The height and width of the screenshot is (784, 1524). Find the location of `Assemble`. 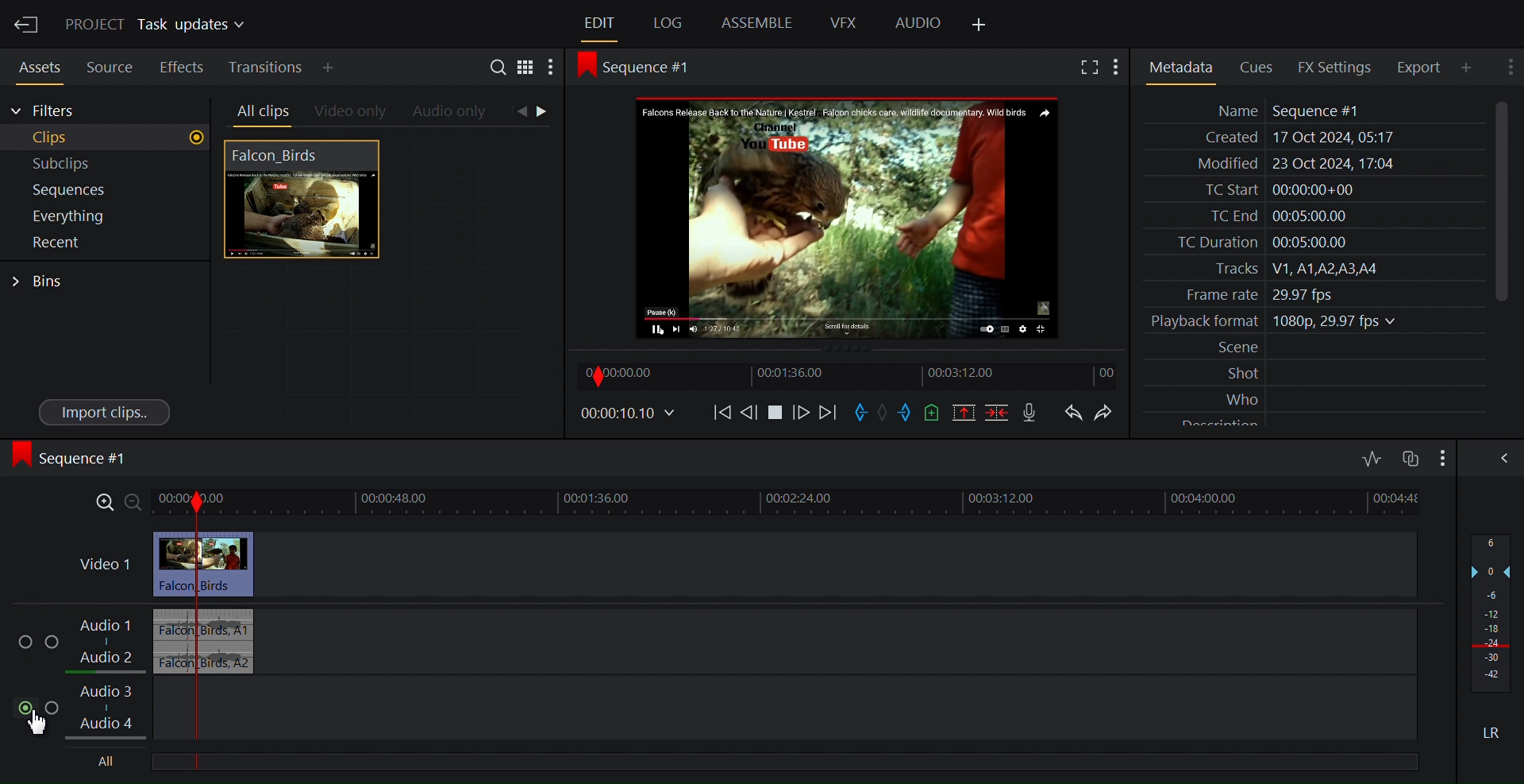

Assemble is located at coordinates (758, 22).